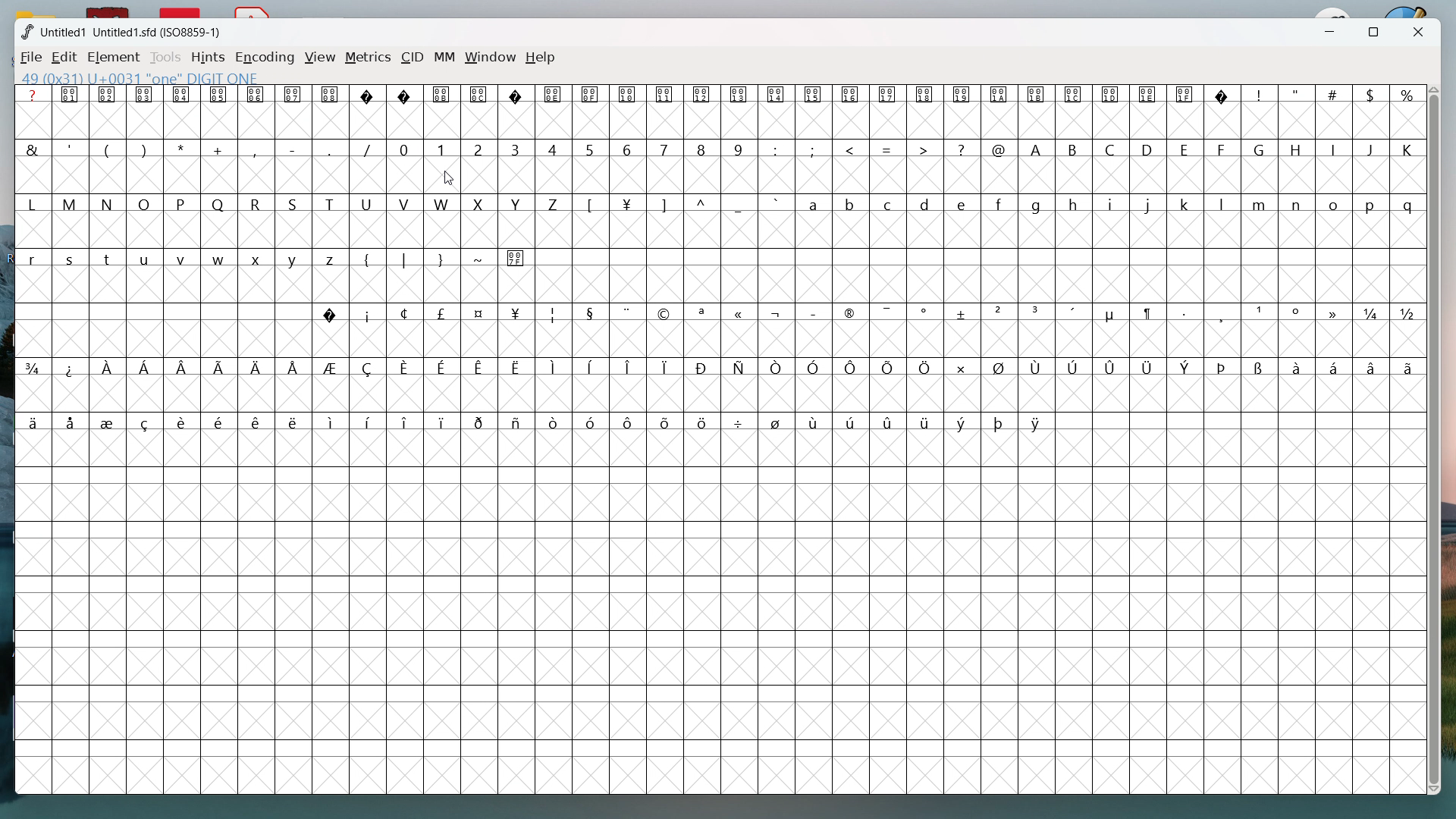 The image size is (1456, 819). What do you see at coordinates (631, 366) in the screenshot?
I see `symbol` at bounding box center [631, 366].